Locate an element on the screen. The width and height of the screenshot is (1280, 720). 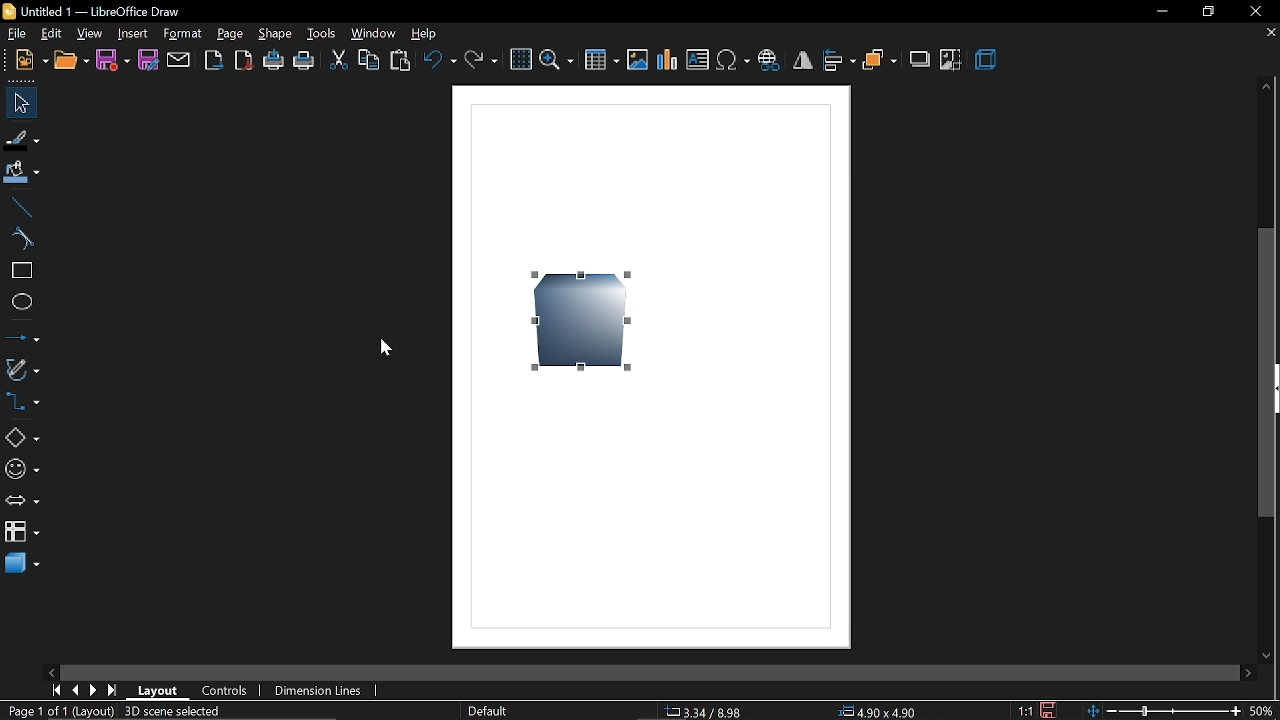
arrange is located at coordinates (879, 62).